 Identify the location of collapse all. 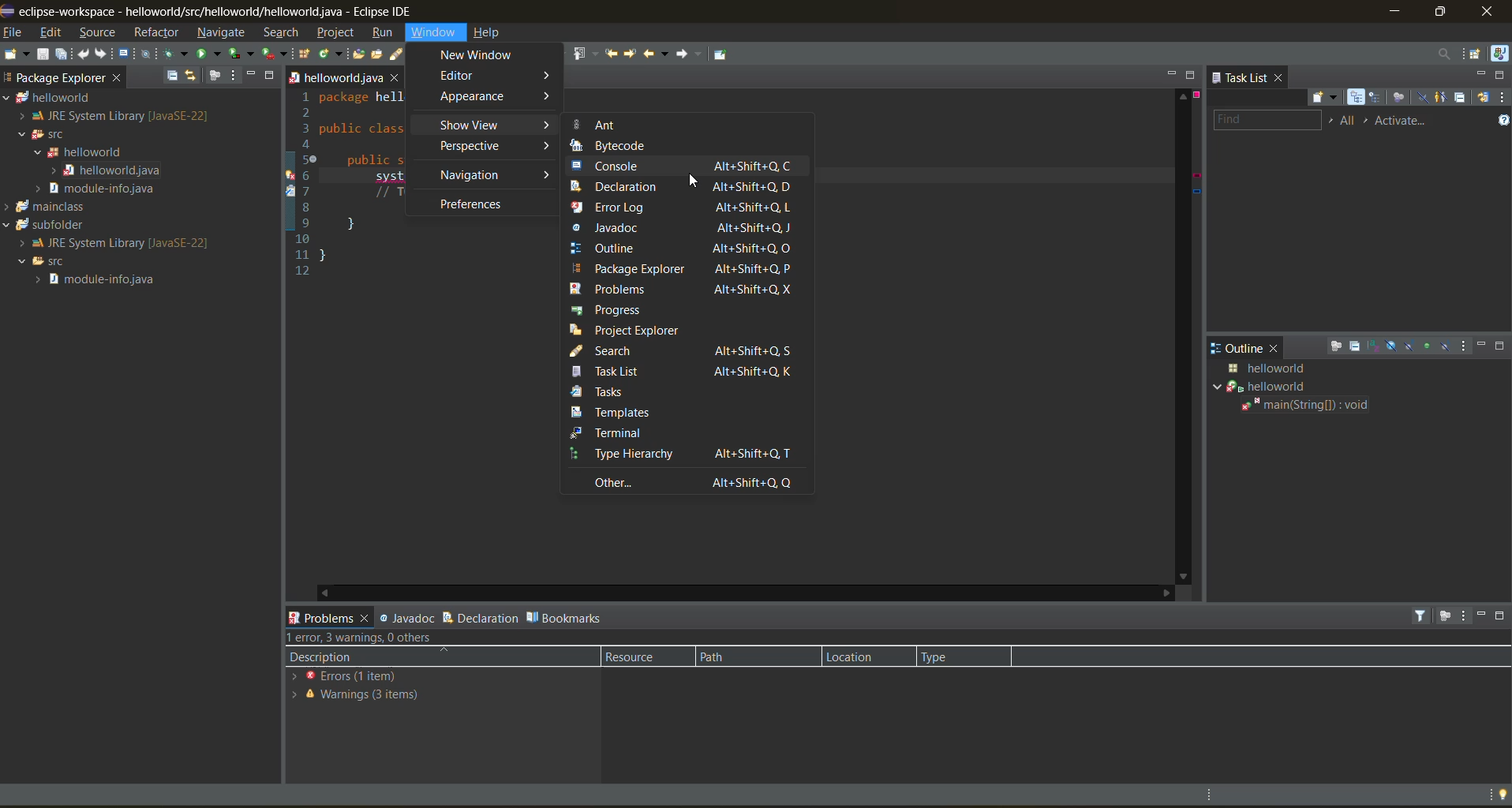
(1462, 99).